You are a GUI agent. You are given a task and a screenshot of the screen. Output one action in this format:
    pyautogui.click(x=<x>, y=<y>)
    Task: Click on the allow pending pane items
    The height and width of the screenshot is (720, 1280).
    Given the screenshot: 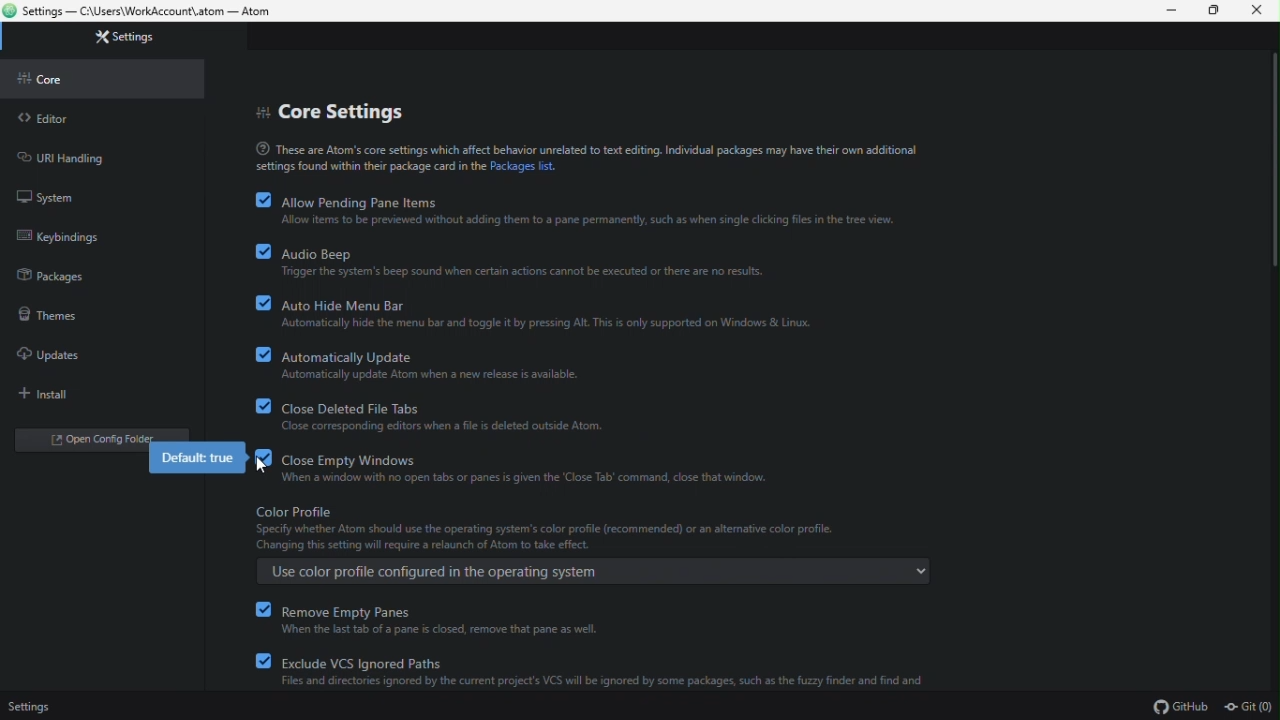 What is the action you would take?
    pyautogui.click(x=601, y=209)
    